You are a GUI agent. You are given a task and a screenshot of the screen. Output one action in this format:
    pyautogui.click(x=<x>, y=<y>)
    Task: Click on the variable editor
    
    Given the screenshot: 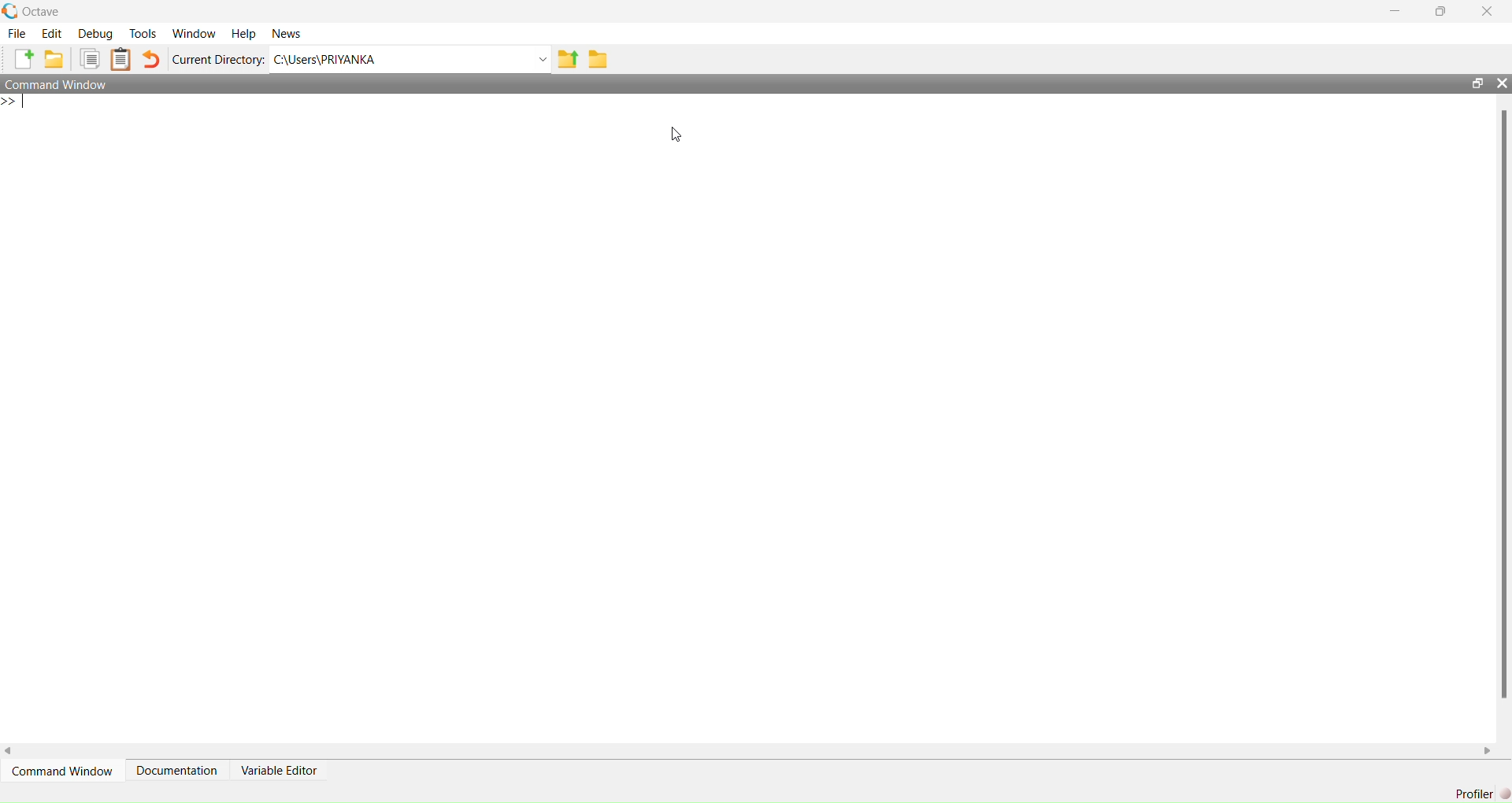 What is the action you would take?
    pyautogui.click(x=283, y=772)
    